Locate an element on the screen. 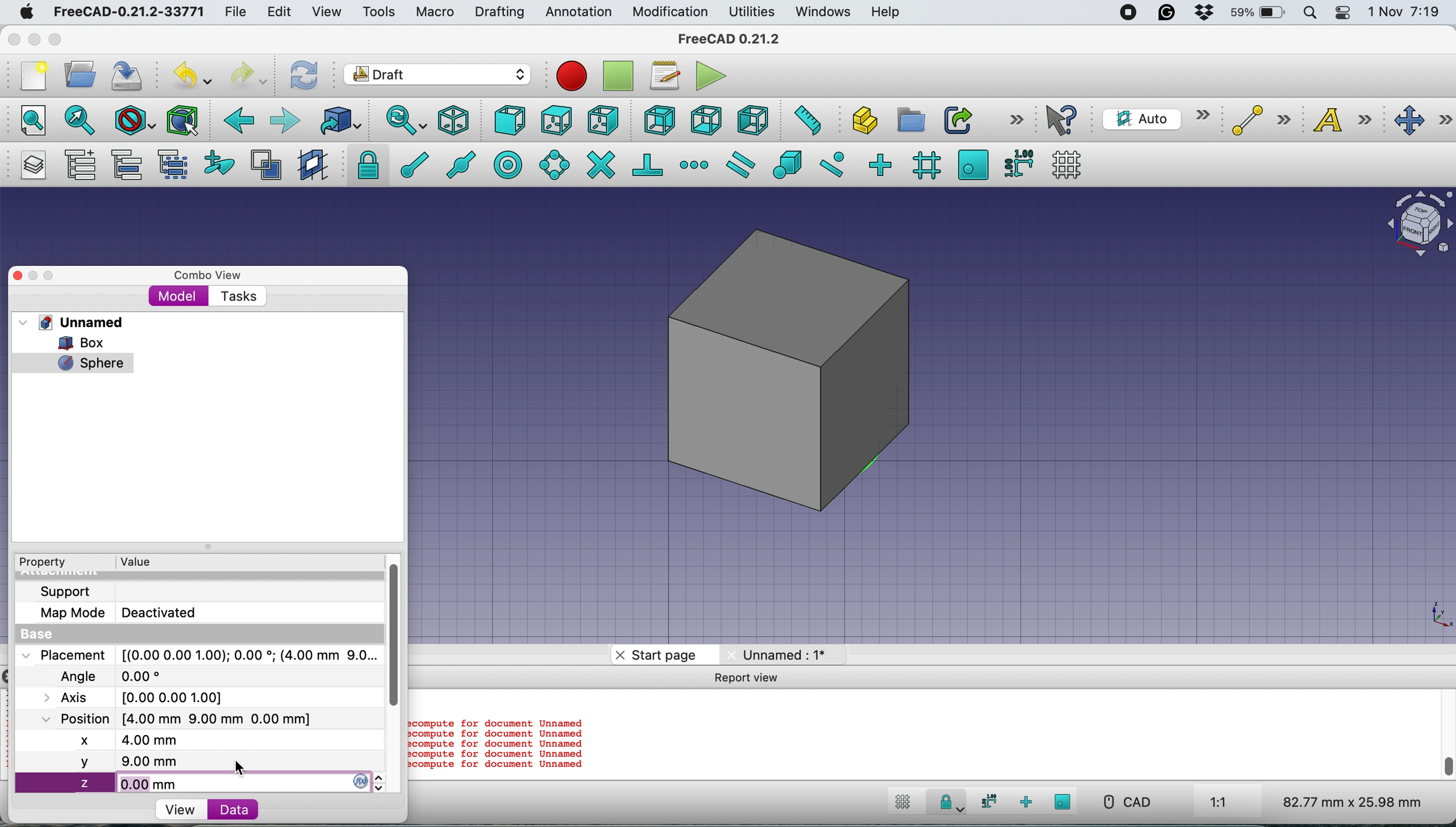  sync view is located at coordinates (399, 122).